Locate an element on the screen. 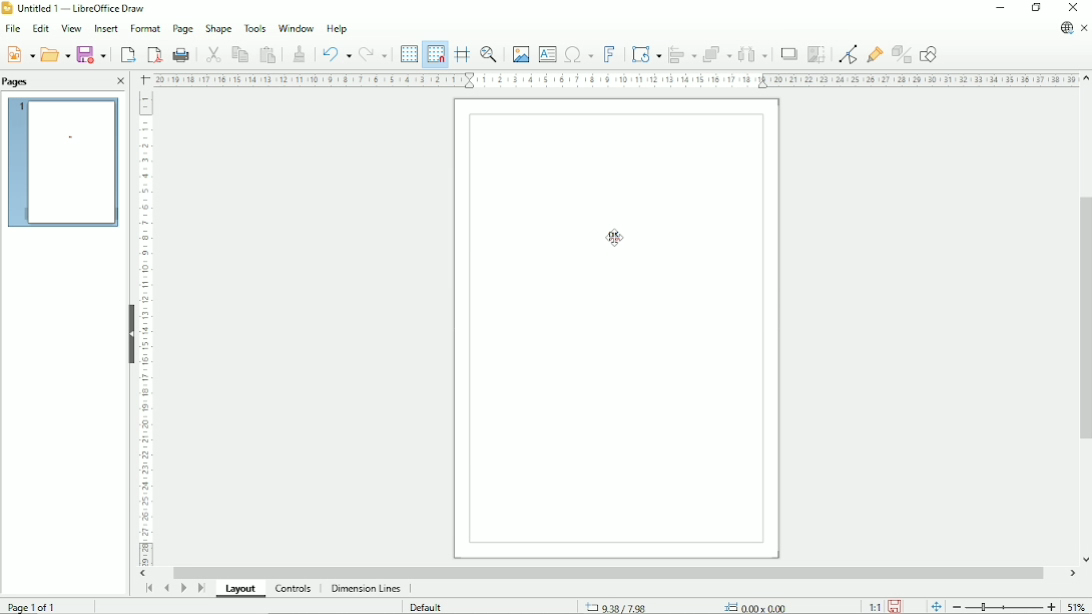 The height and width of the screenshot is (614, 1092). Insert is located at coordinates (105, 29).